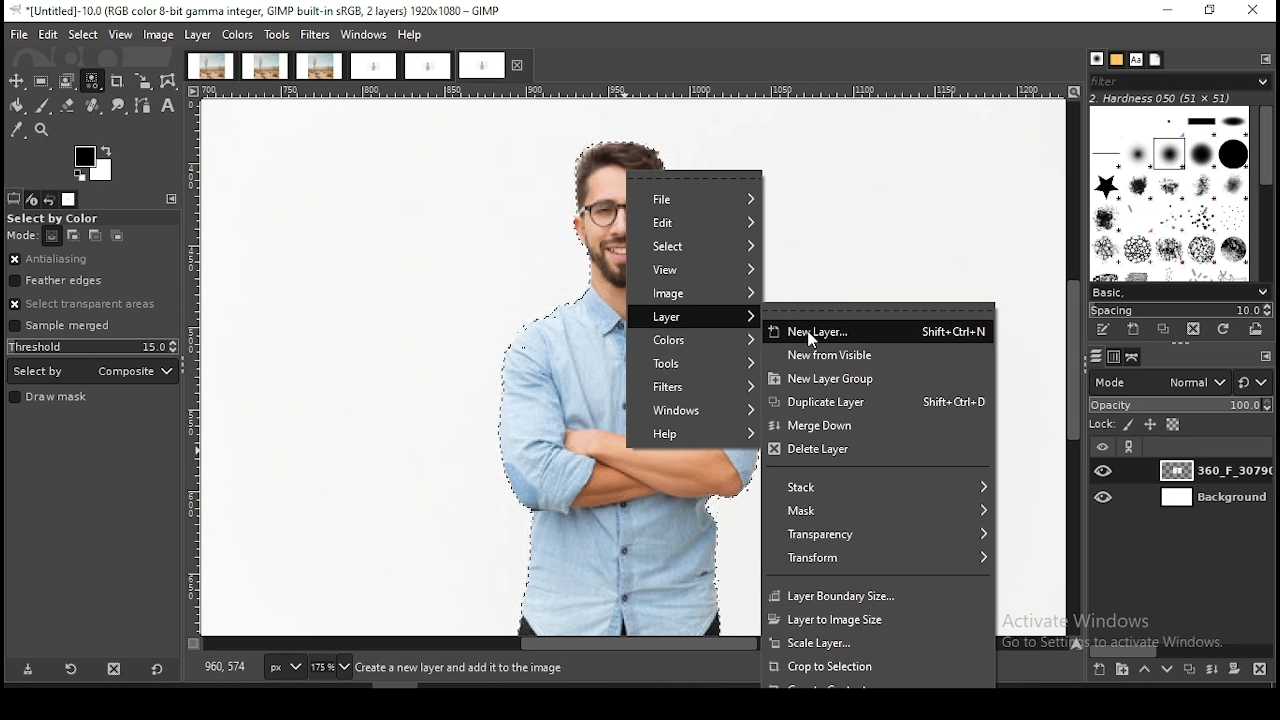  I want to click on duplicate layer, so click(1187, 668).